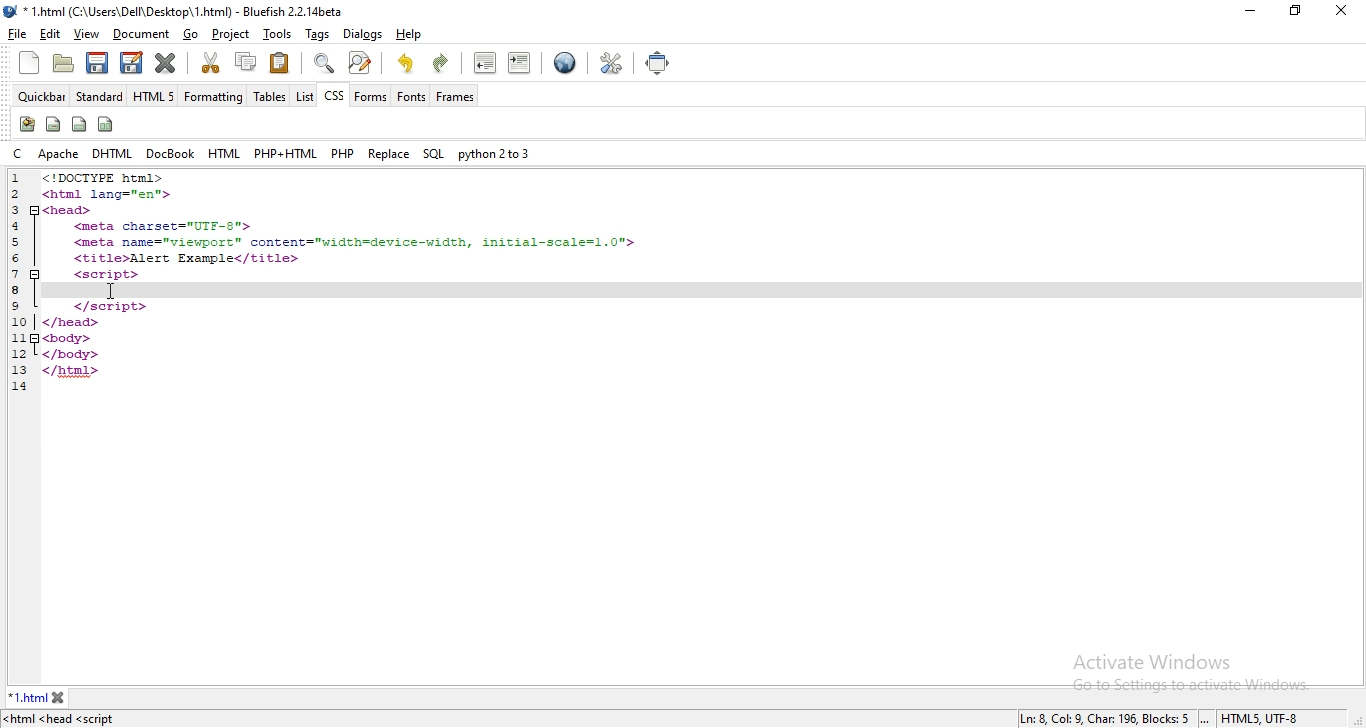 The width and height of the screenshot is (1366, 728). I want to click on undo, so click(407, 62).